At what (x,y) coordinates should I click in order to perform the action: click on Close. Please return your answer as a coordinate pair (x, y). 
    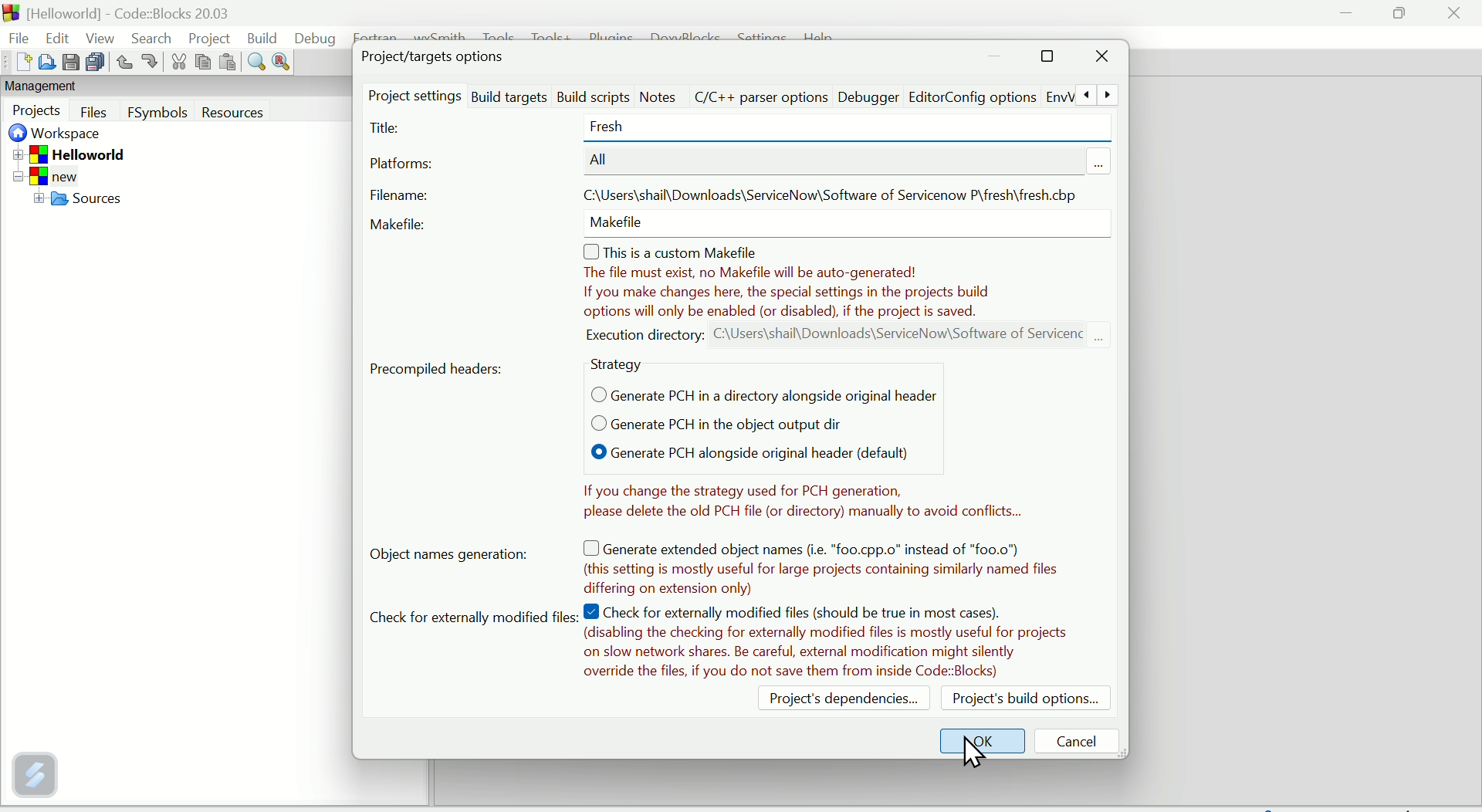
    Looking at the image, I should click on (1453, 18).